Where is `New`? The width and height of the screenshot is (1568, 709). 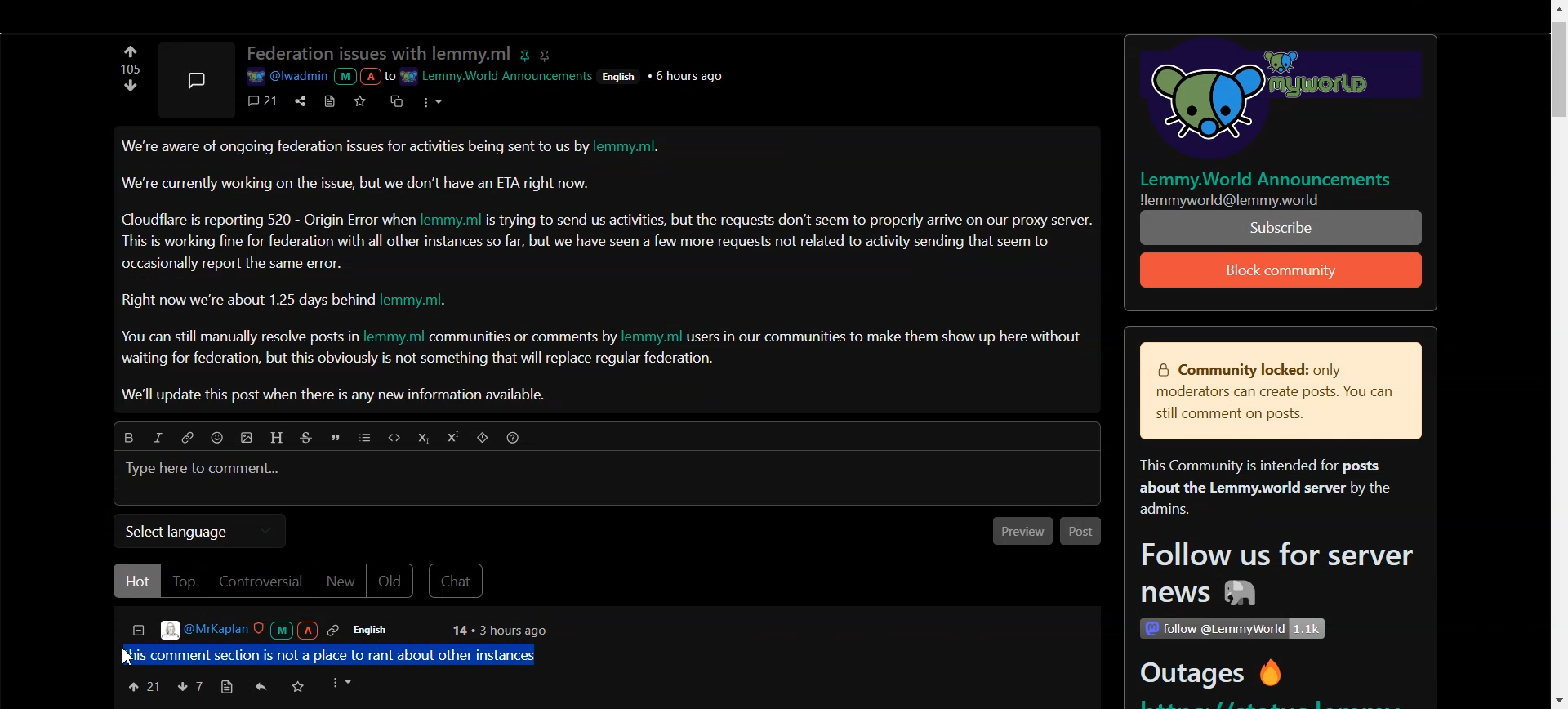 New is located at coordinates (340, 582).